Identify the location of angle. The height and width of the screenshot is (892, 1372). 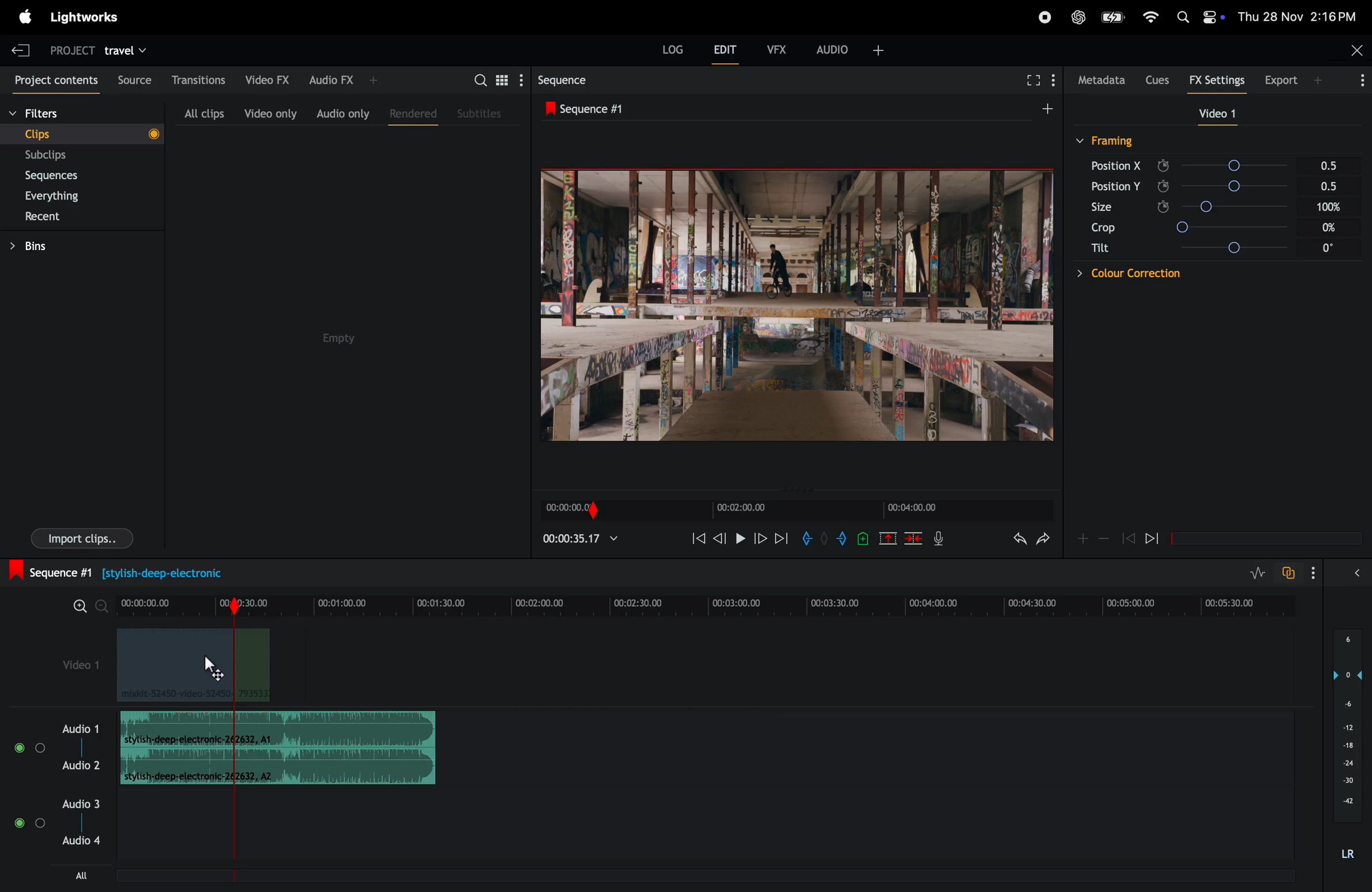
(1253, 188).